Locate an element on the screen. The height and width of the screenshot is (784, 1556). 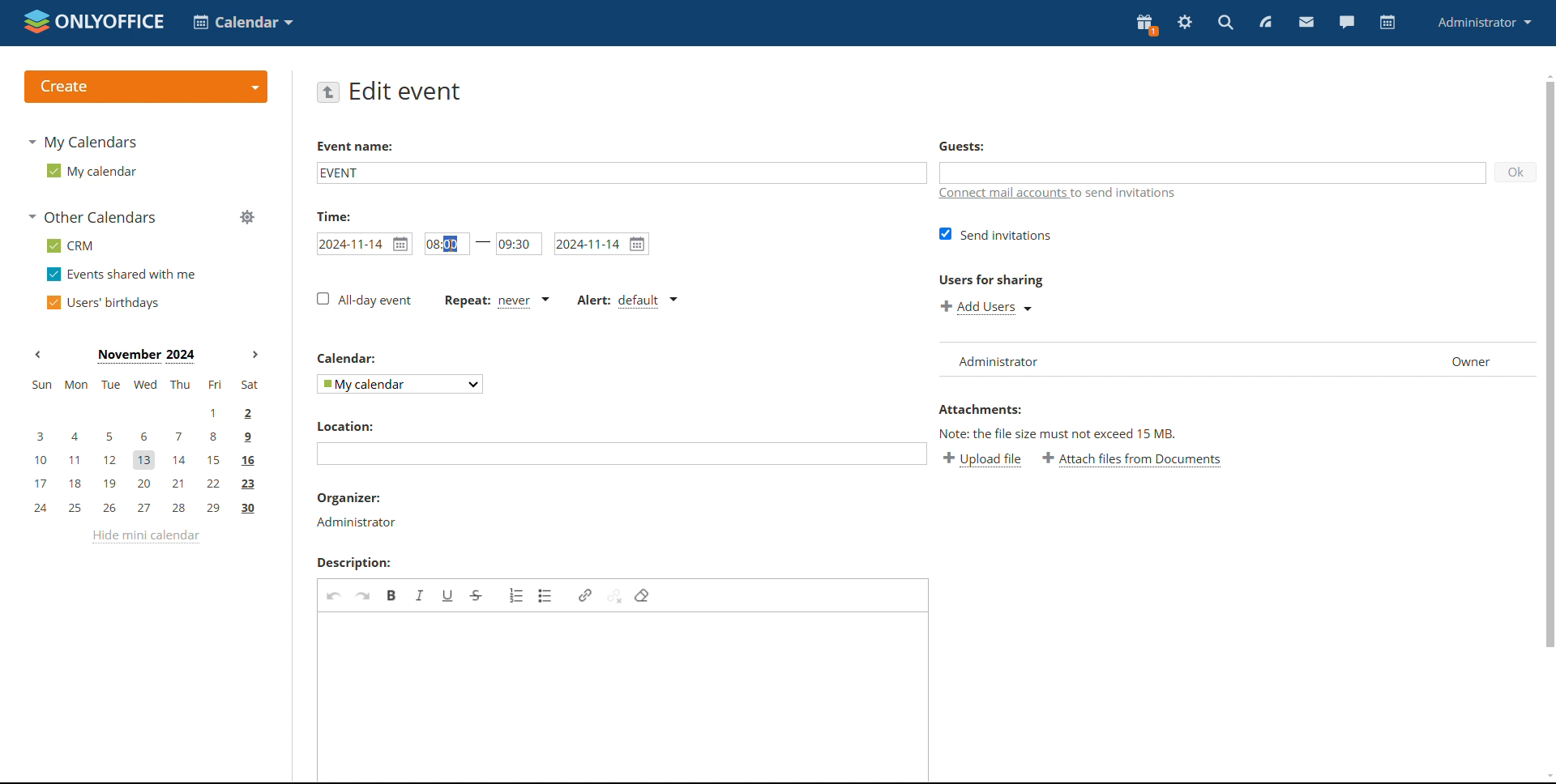
bold is located at coordinates (392, 595).